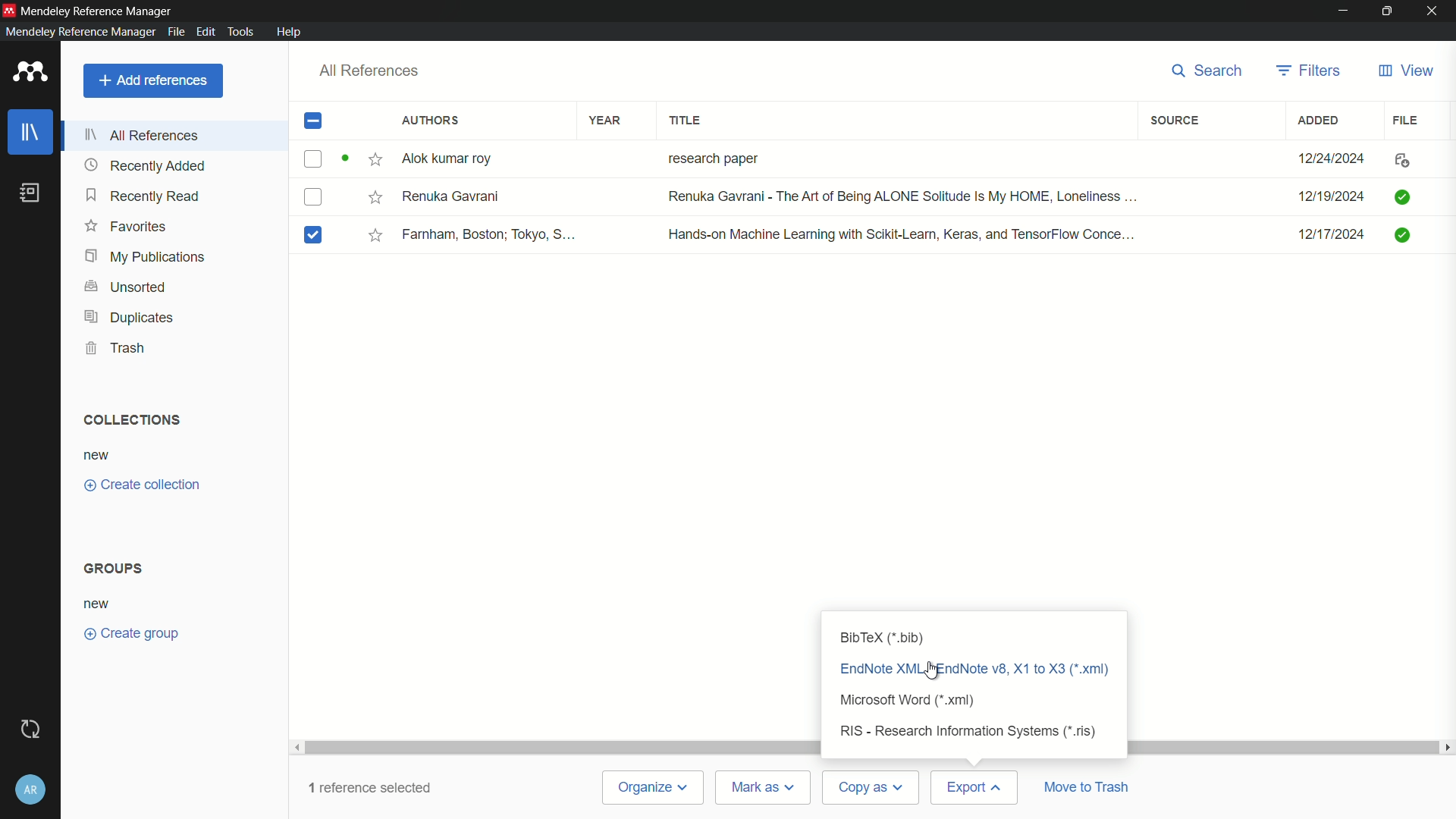 The width and height of the screenshot is (1456, 819). Describe the element at coordinates (429, 121) in the screenshot. I see `authors` at that location.